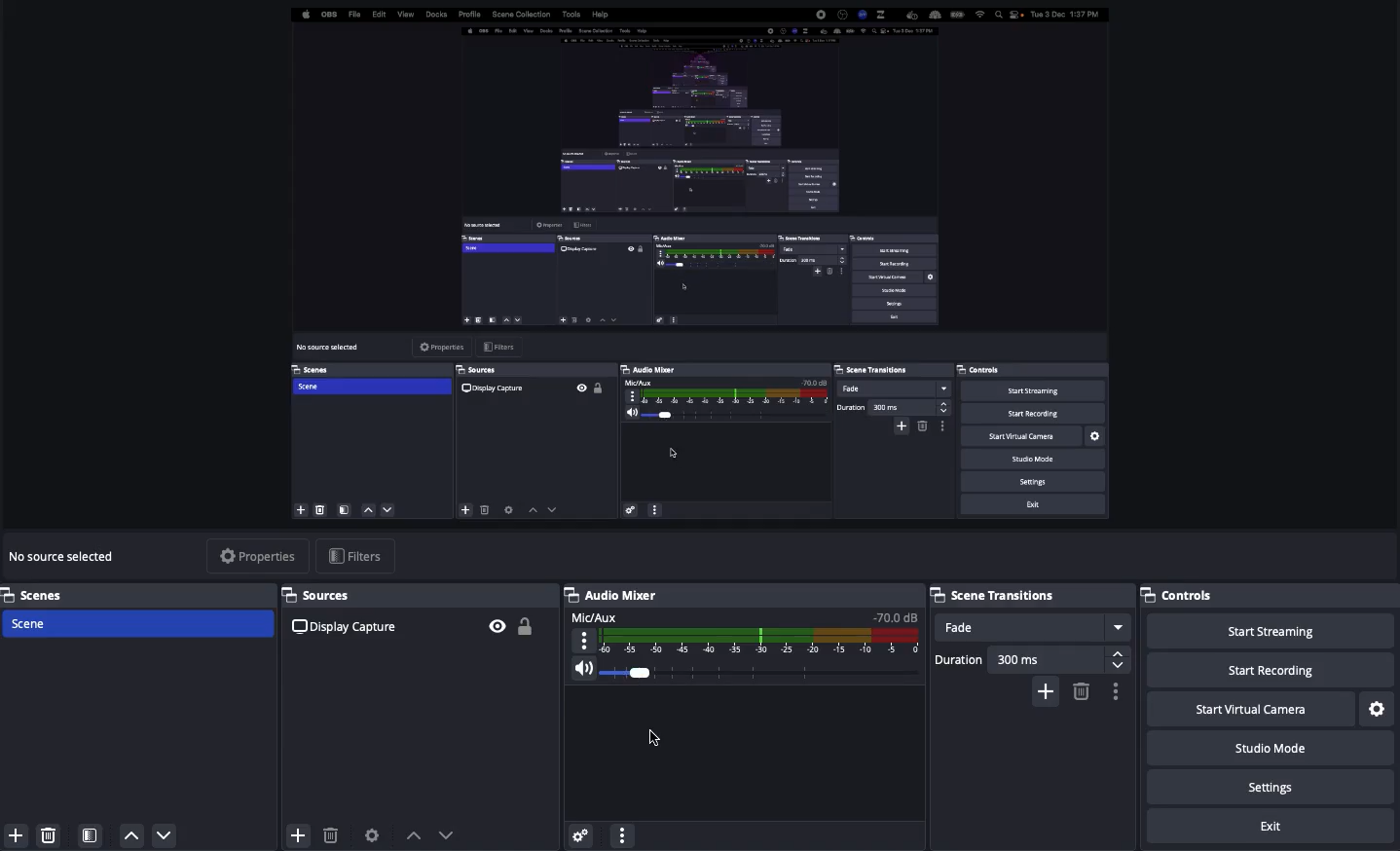  I want to click on Down, so click(166, 837).